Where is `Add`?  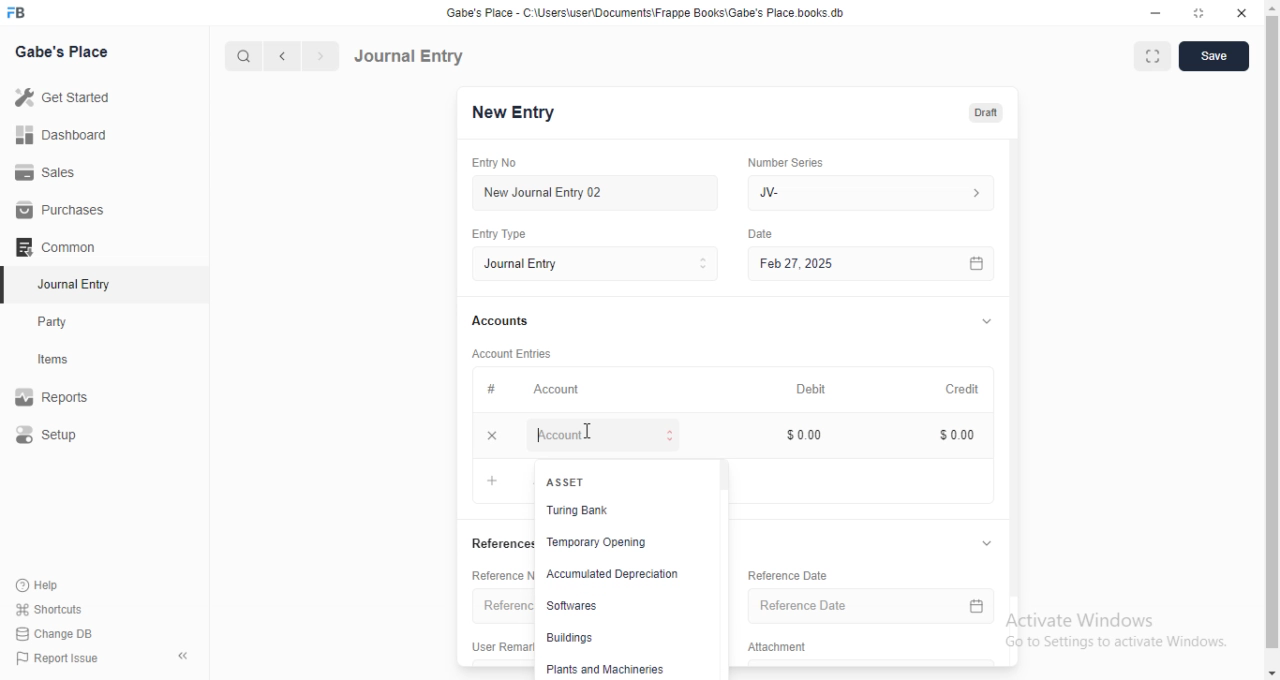 Add is located at coordinates (492, 480).